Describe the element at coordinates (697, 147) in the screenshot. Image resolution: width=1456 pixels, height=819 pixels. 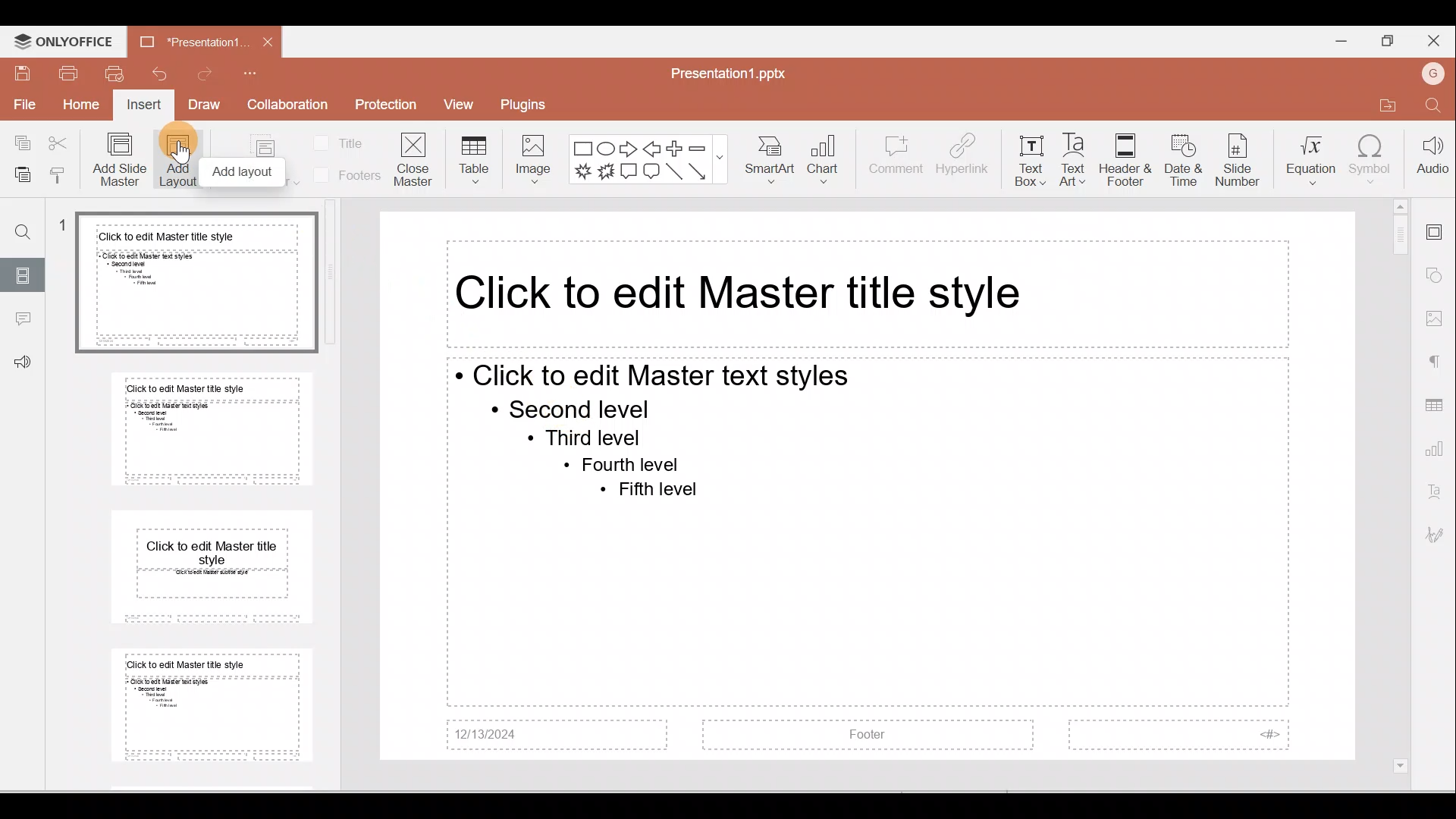
I see `Minus` at that location.